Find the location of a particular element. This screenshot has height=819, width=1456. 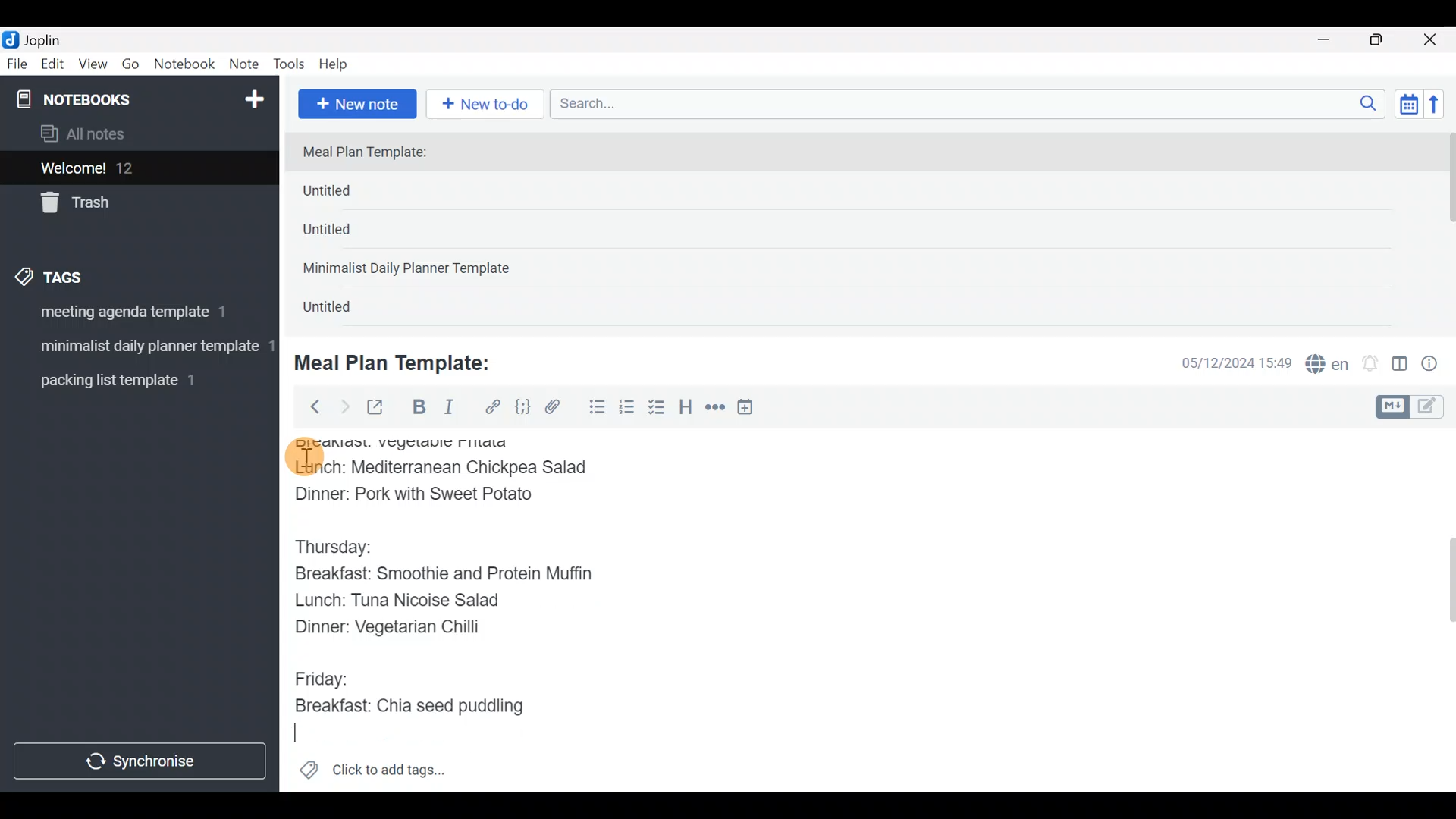

View is located at coordinates (93, 67).